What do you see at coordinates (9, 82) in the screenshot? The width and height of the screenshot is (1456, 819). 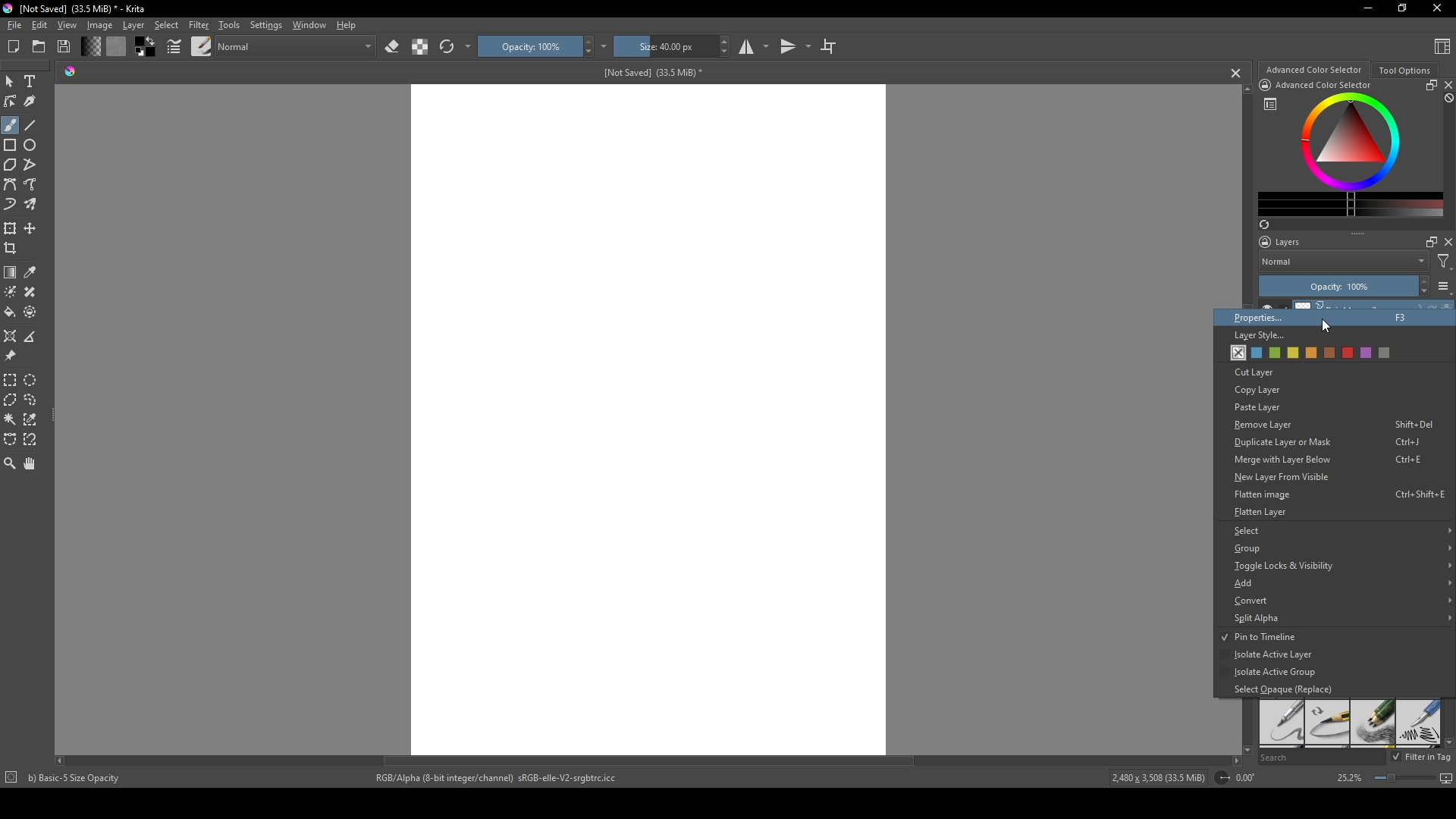 I see `mouse` at bounding box center [9, 82].